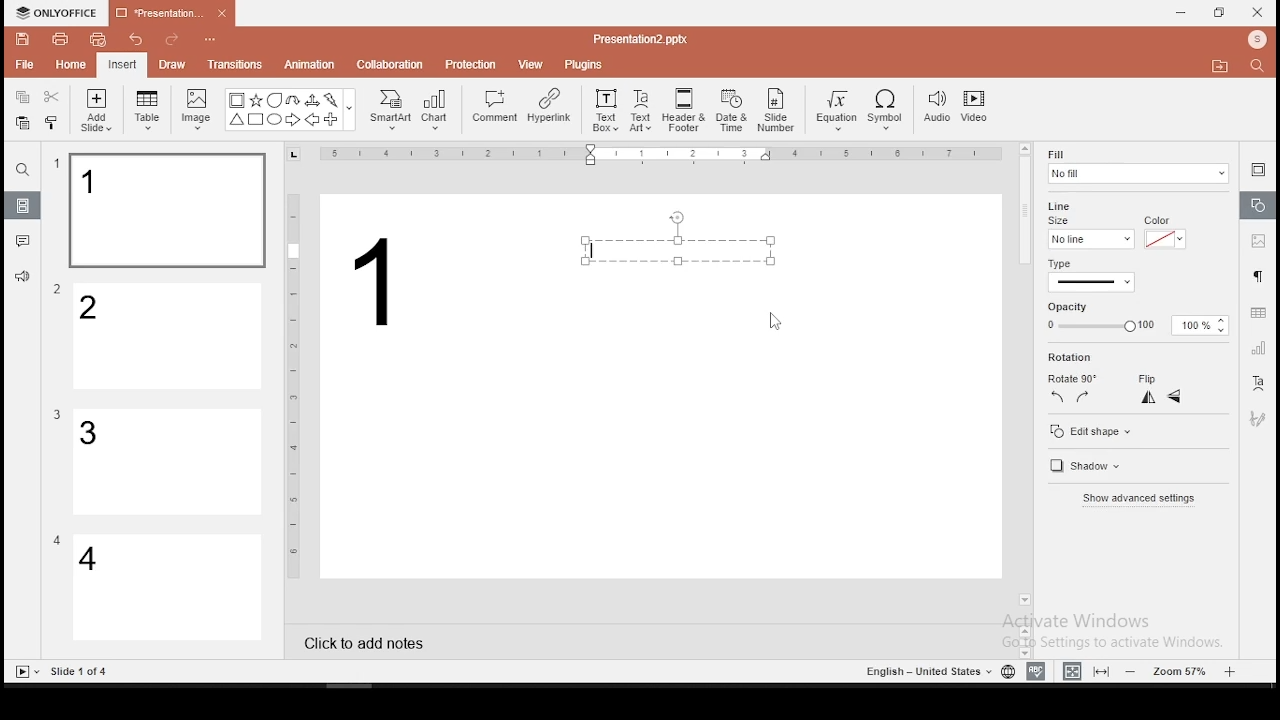  I want to click on rotation, so click(1103, 358).